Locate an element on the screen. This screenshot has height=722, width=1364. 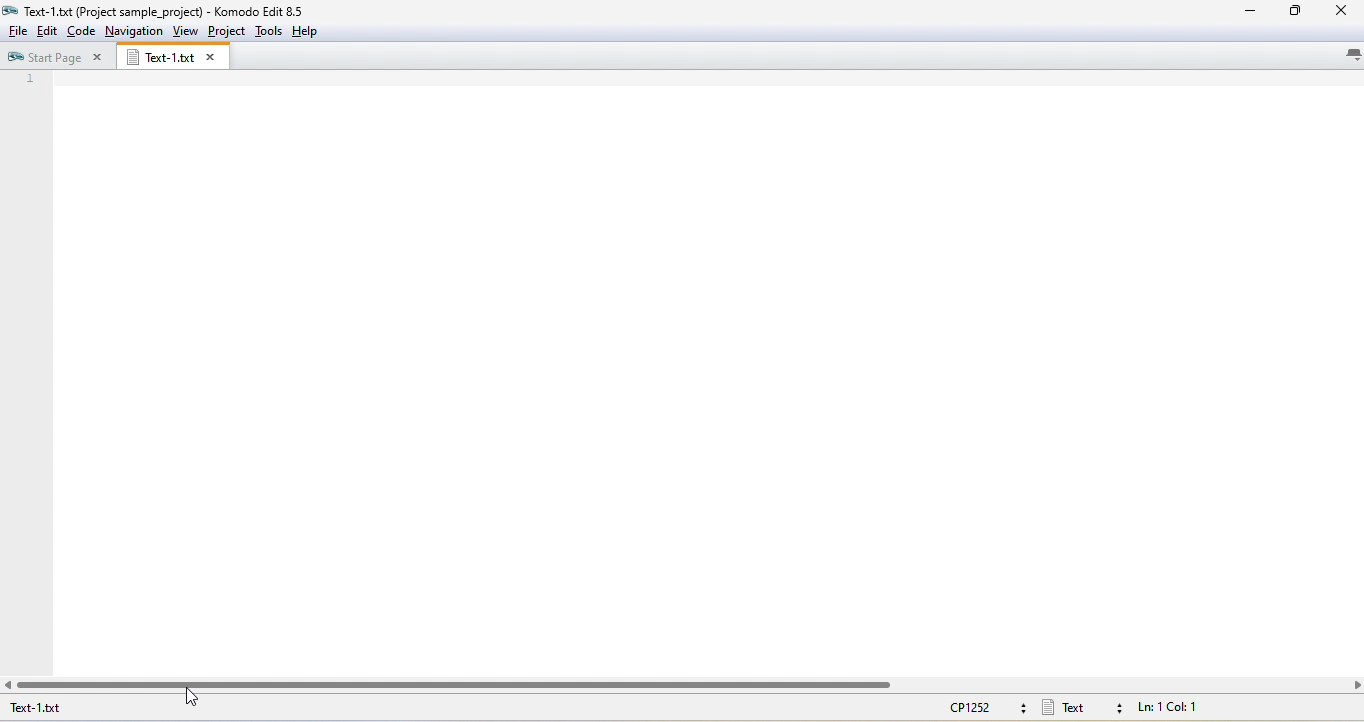
horizontal scroll bar is located at coordinates (460, 684).